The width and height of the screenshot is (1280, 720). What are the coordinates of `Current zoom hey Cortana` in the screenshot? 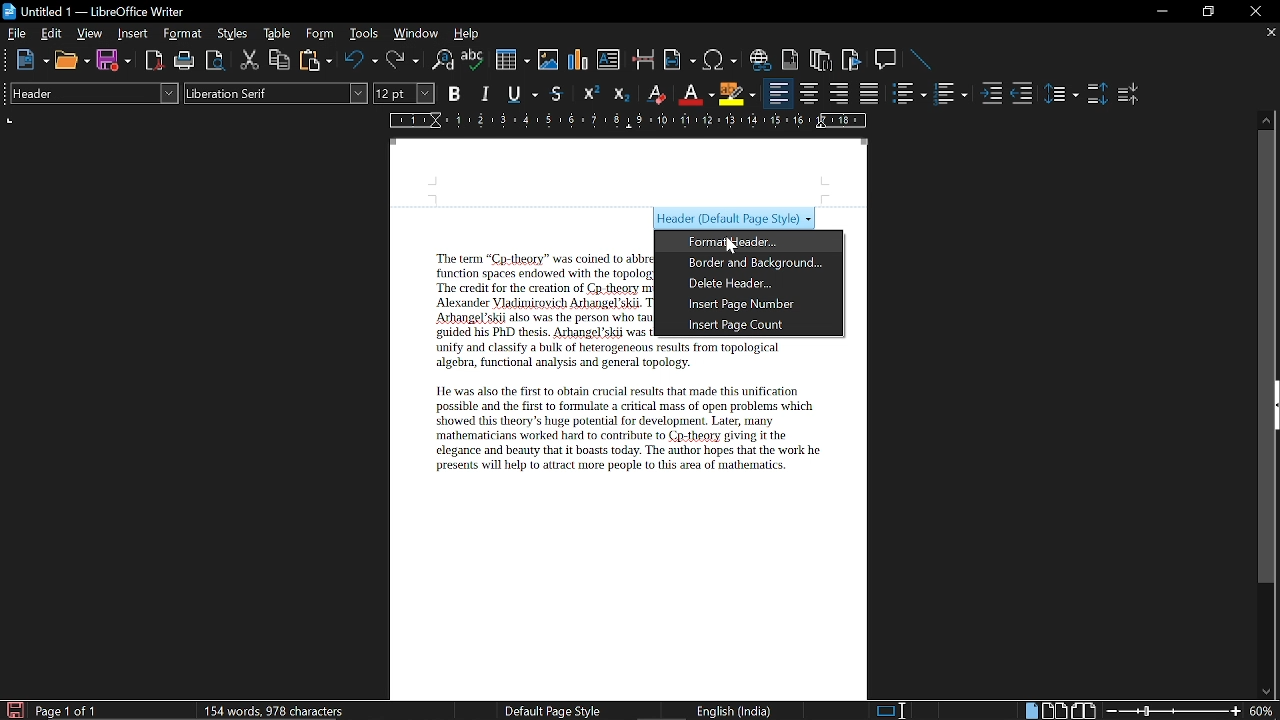 It's located at (1261, 710).